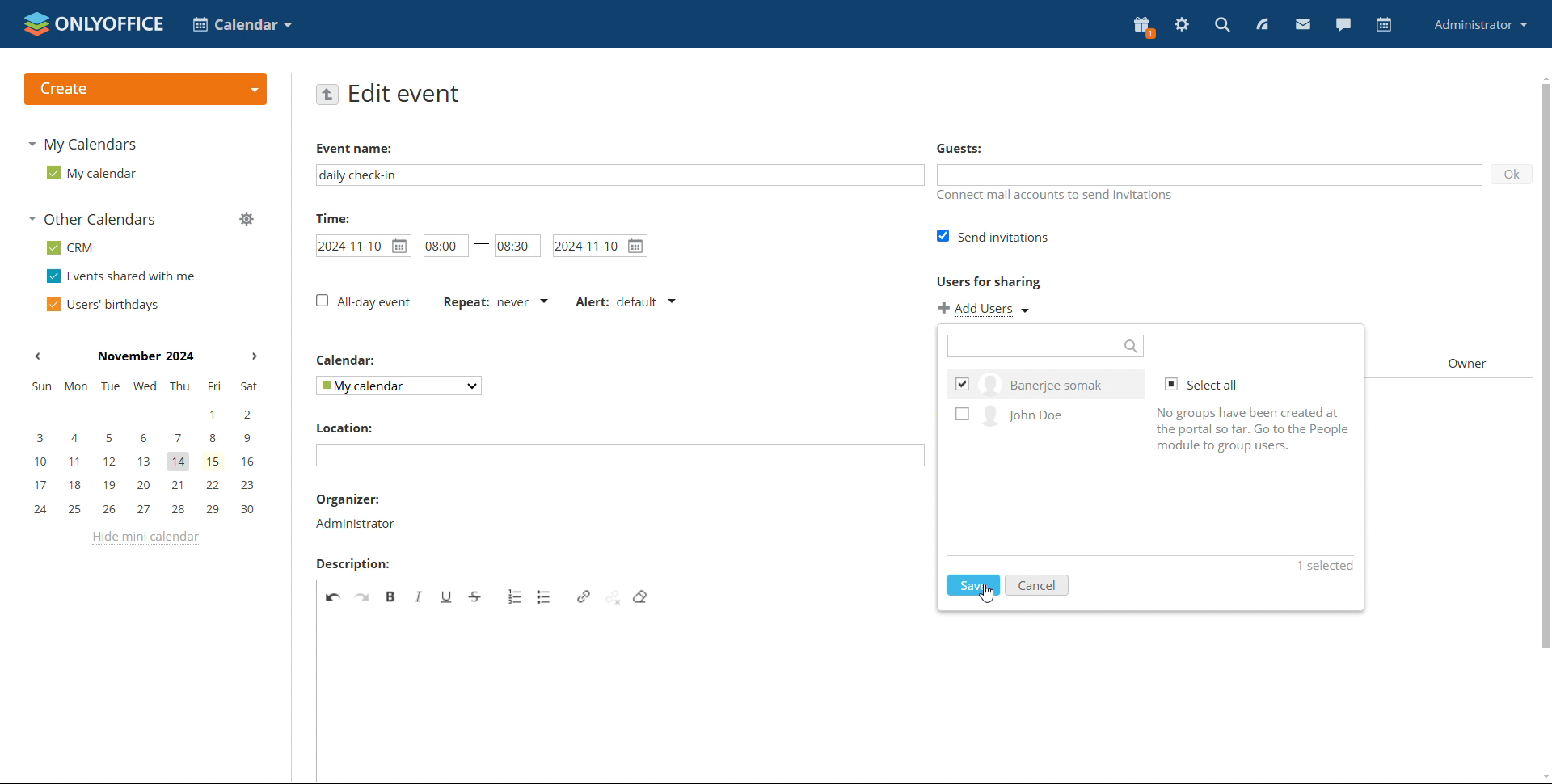 The height and width of the screenshot is (784, 1552). What do you see at coordinates (625, 303) in the screenshot?
I see `alert type` at bounding box center [625, 303].